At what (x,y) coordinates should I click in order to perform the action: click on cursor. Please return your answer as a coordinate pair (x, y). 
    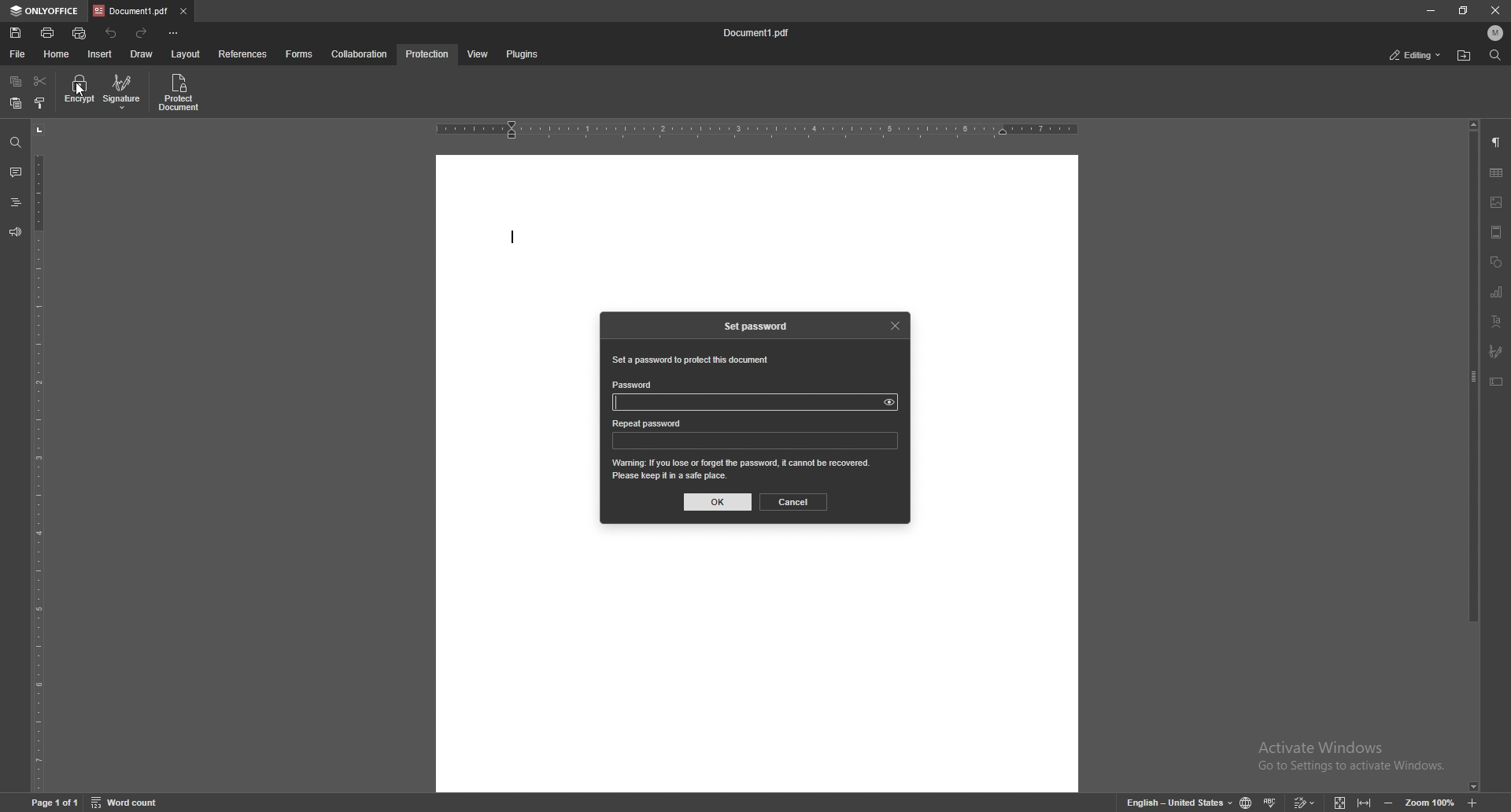
    Looking at the image, I should click on (83, 94).